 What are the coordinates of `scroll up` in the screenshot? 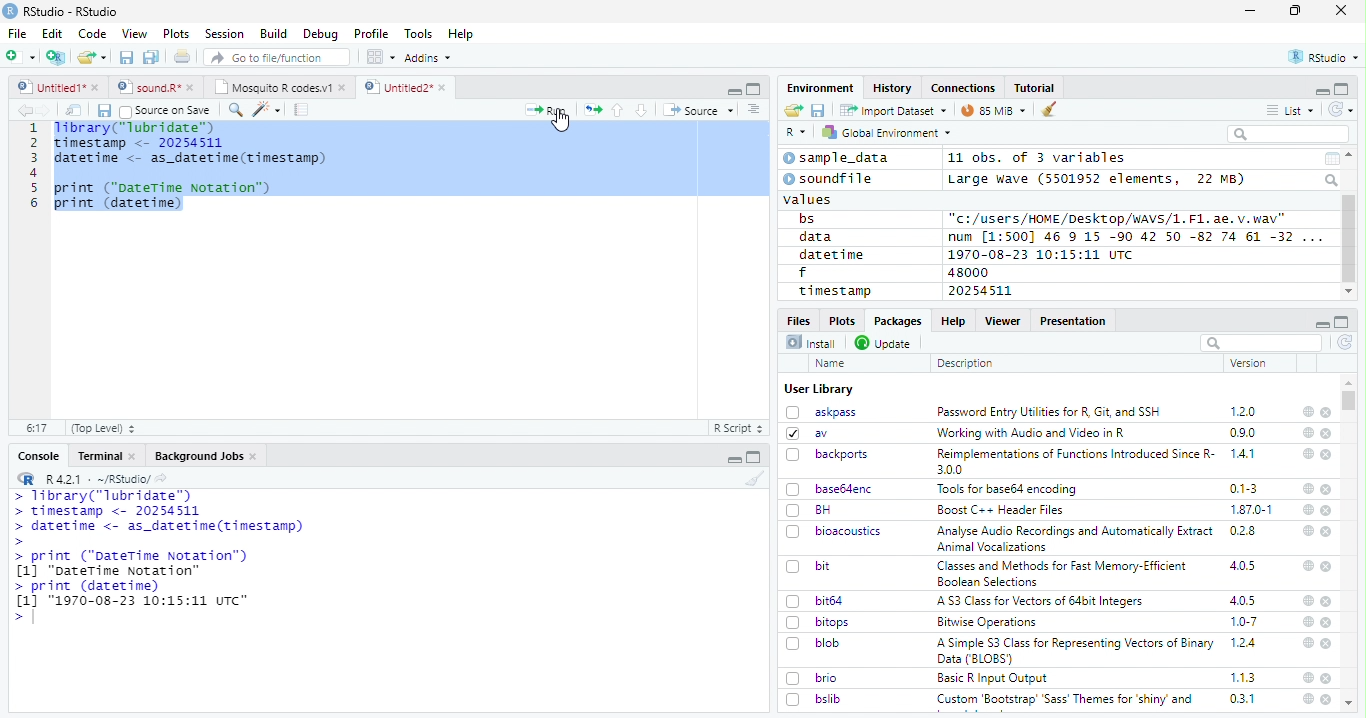 It's located at (1351, 155).